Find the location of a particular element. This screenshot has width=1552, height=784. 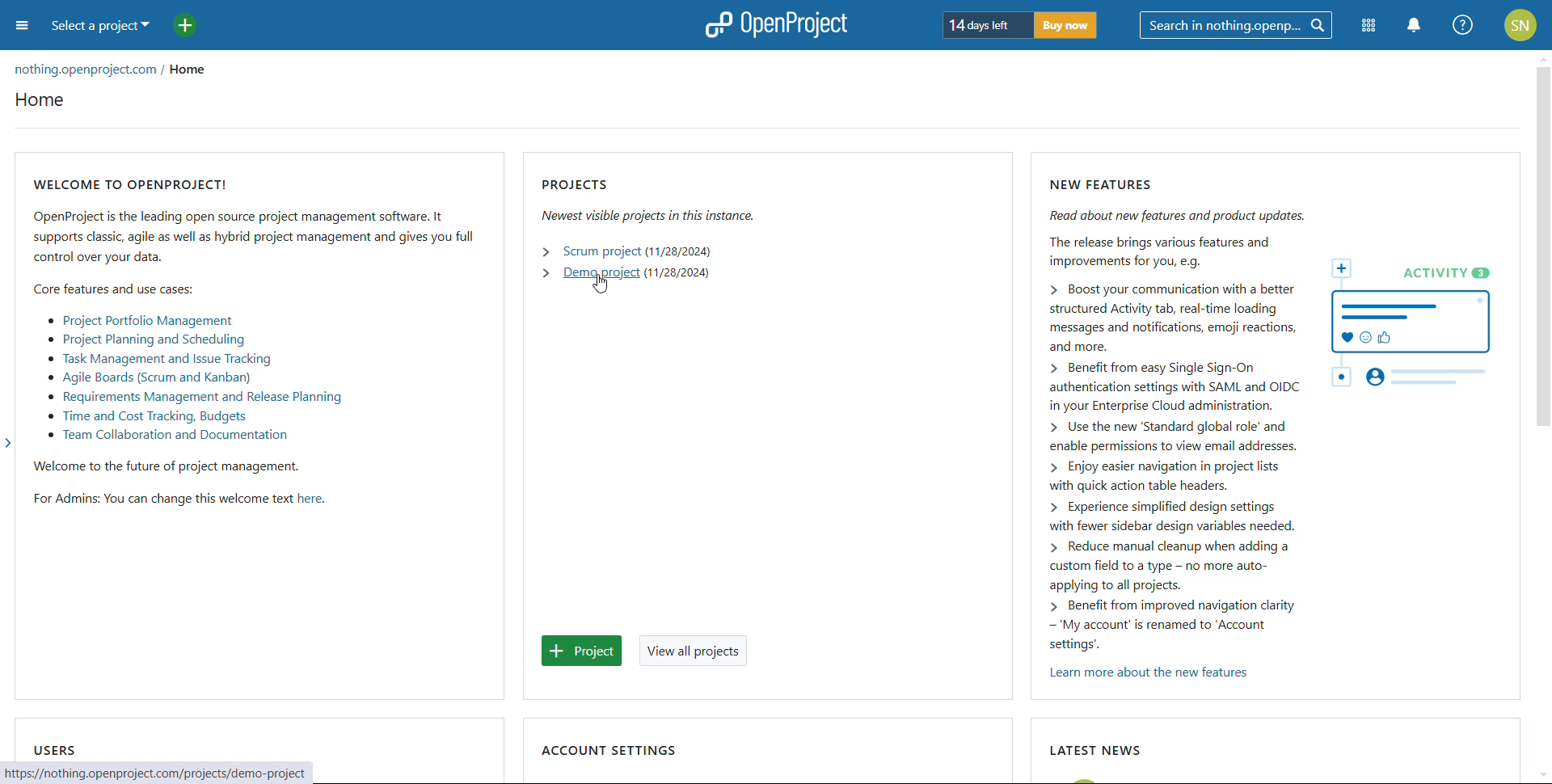

> Reduce manual cleanup when adding a custom field to a type — no more auto- applying to all projects is located at coordinates (1168, 564).